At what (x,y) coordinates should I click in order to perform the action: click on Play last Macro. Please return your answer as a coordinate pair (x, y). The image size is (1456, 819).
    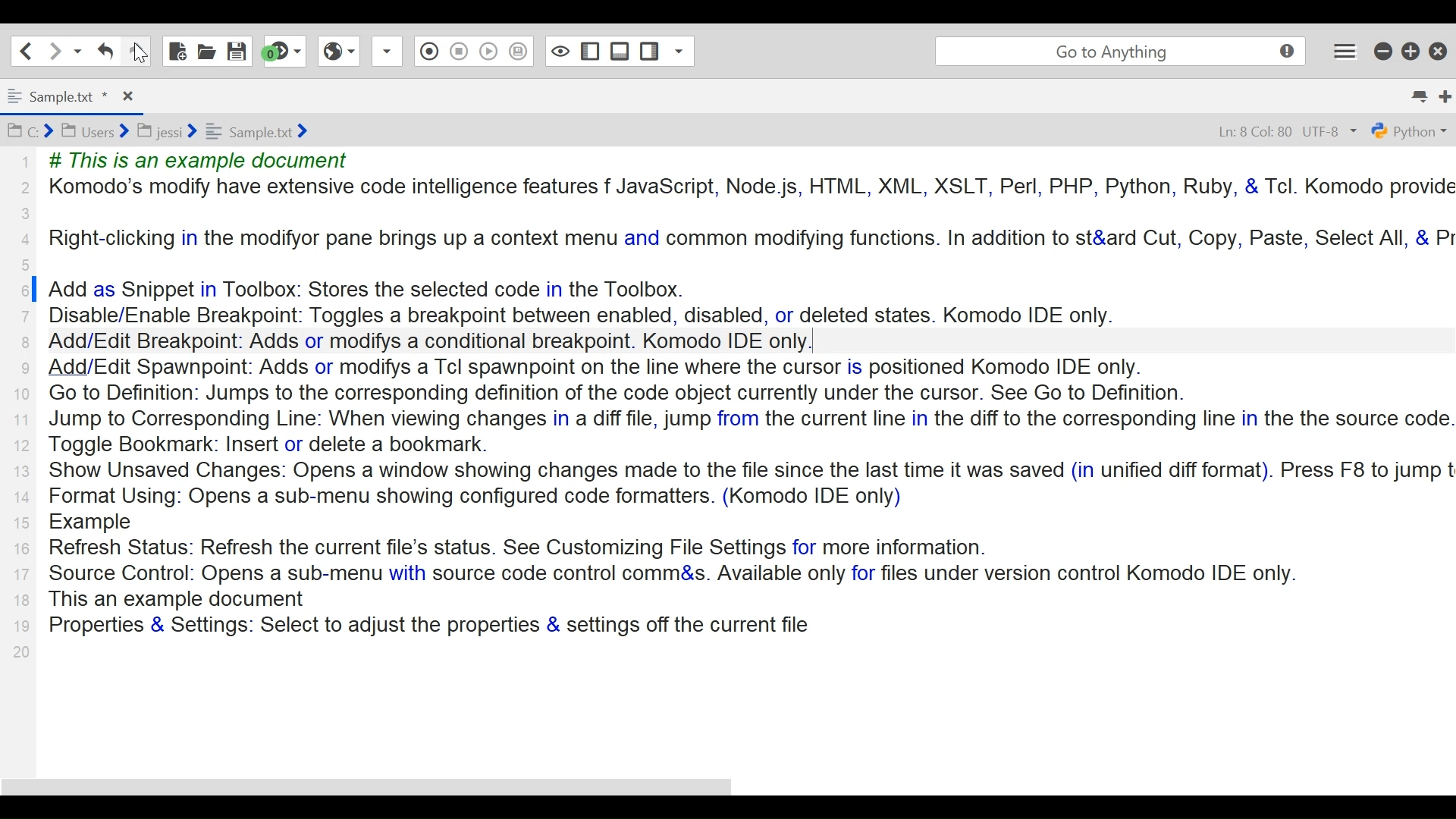
    Looking at the image, I should click on (489, 51).